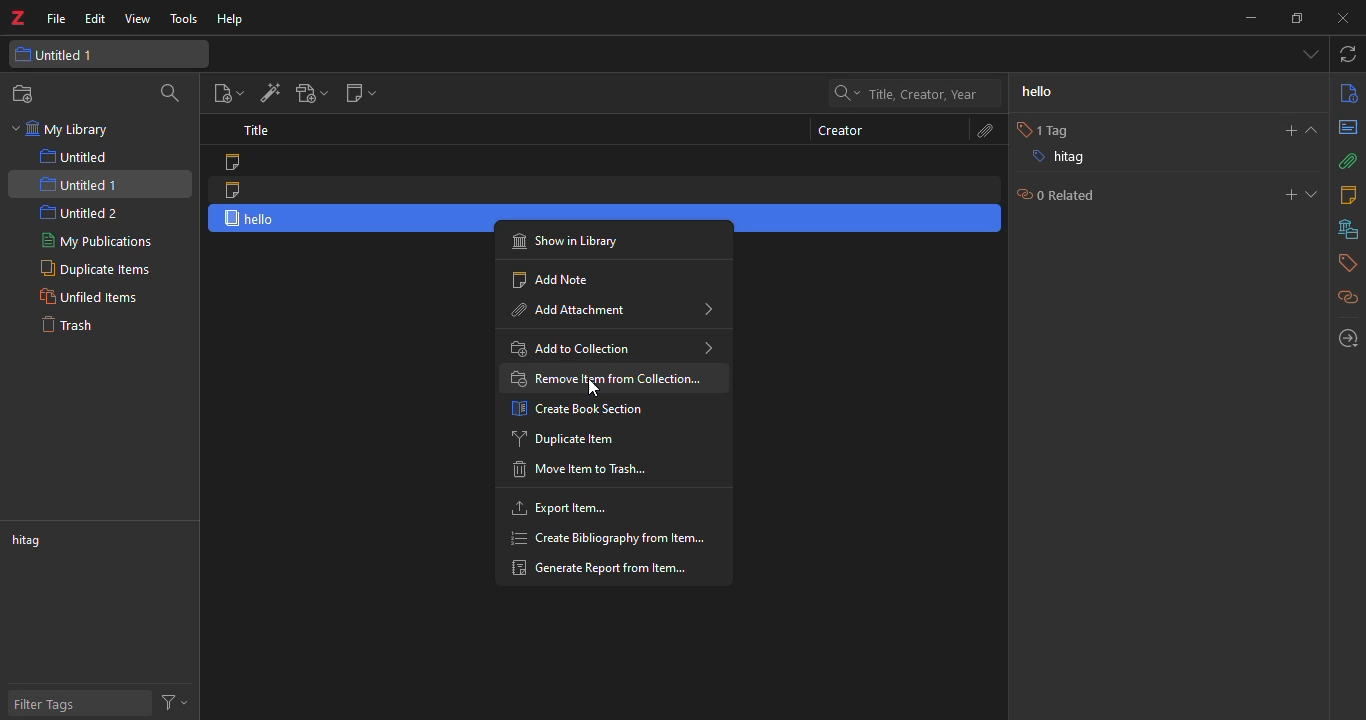  What do you see at coordinates (49, 706) in the screenshot?
I see `filter tags` at bounding box center [49, 706].